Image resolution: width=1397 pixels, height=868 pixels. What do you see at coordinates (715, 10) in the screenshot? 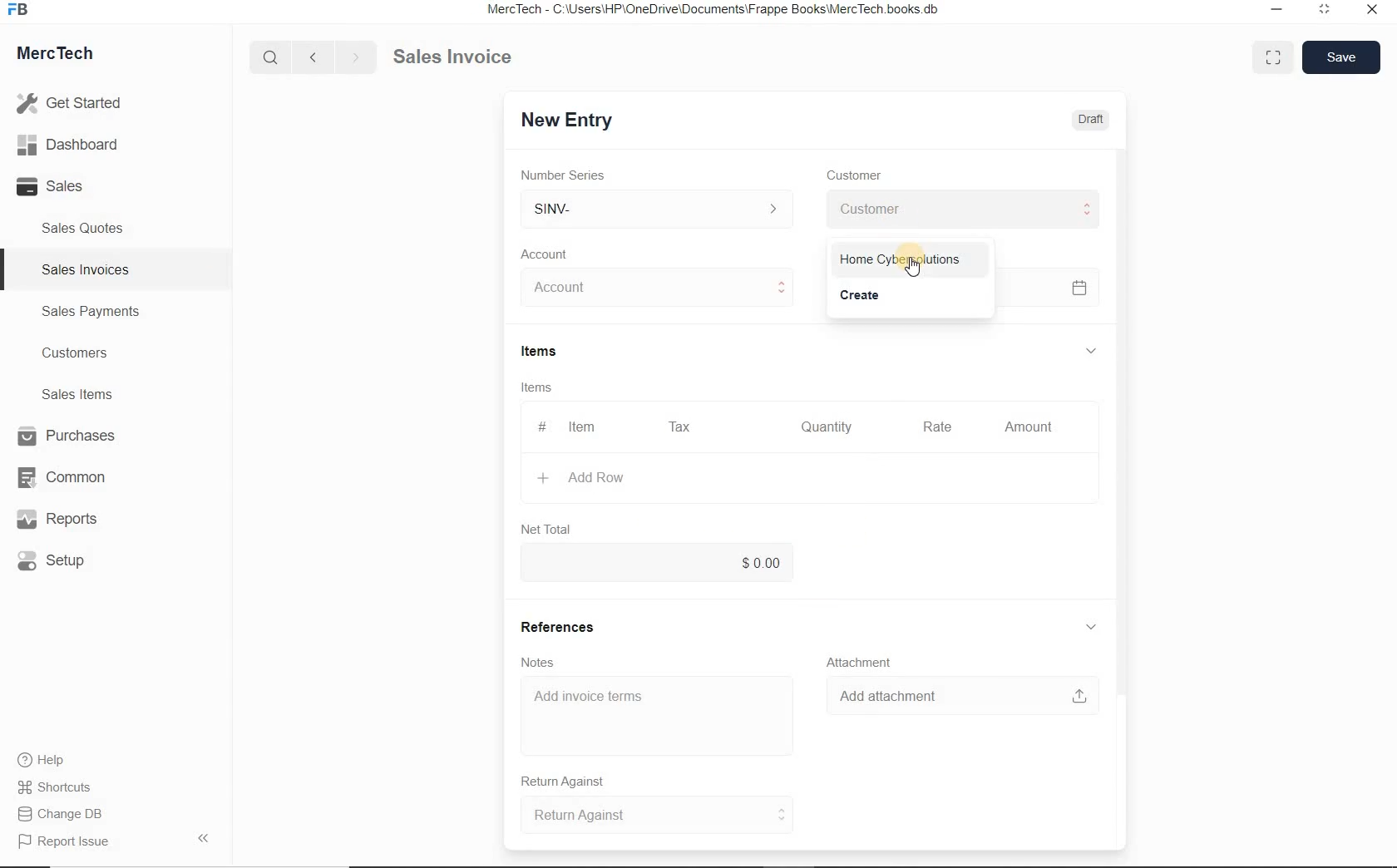
I see `MercTech - C:\Users\HP\OneDrive\Documents\Frappe Books\MercTech books db` at bounding box center [715, 10].